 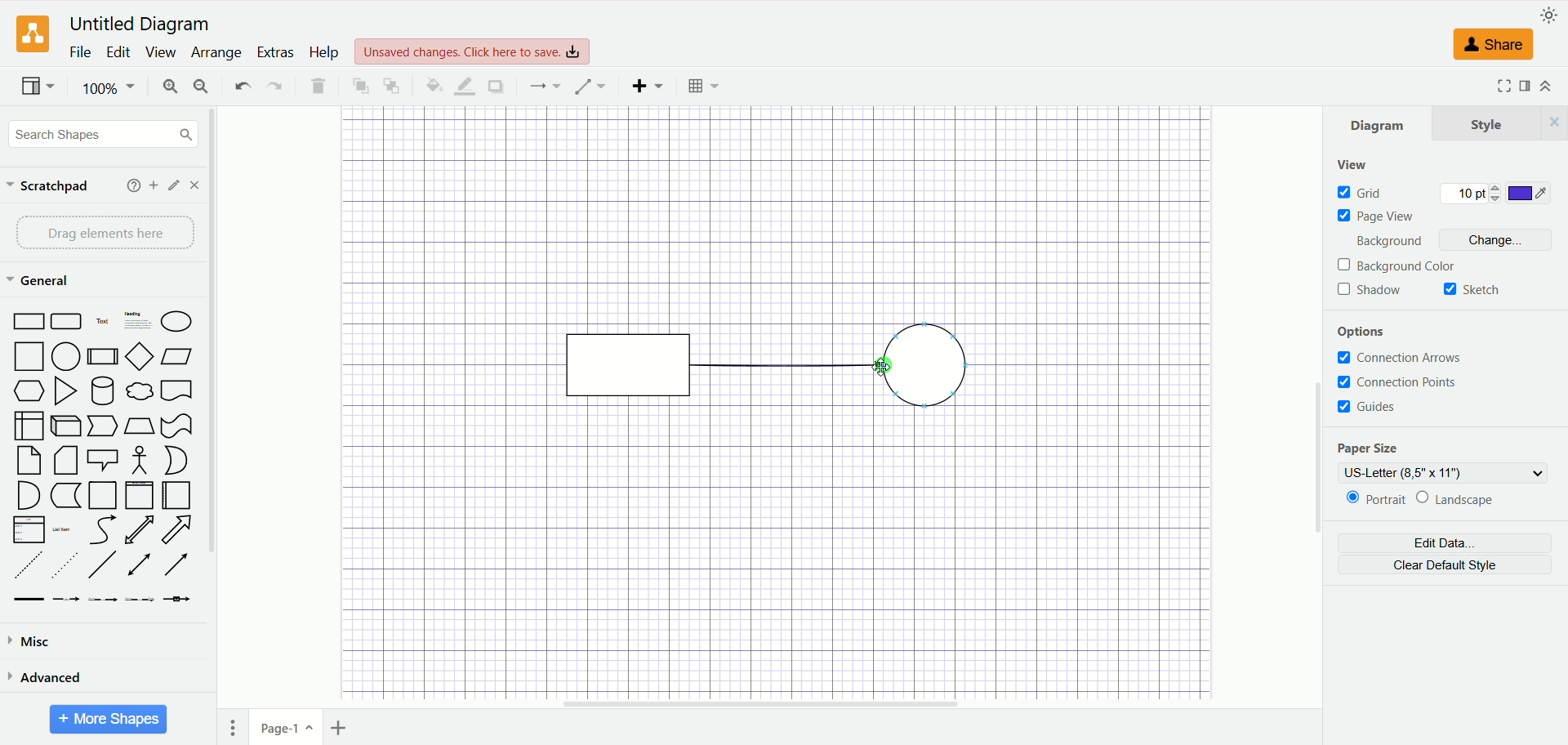 I want to click on Box, so click(x=29, y=425).